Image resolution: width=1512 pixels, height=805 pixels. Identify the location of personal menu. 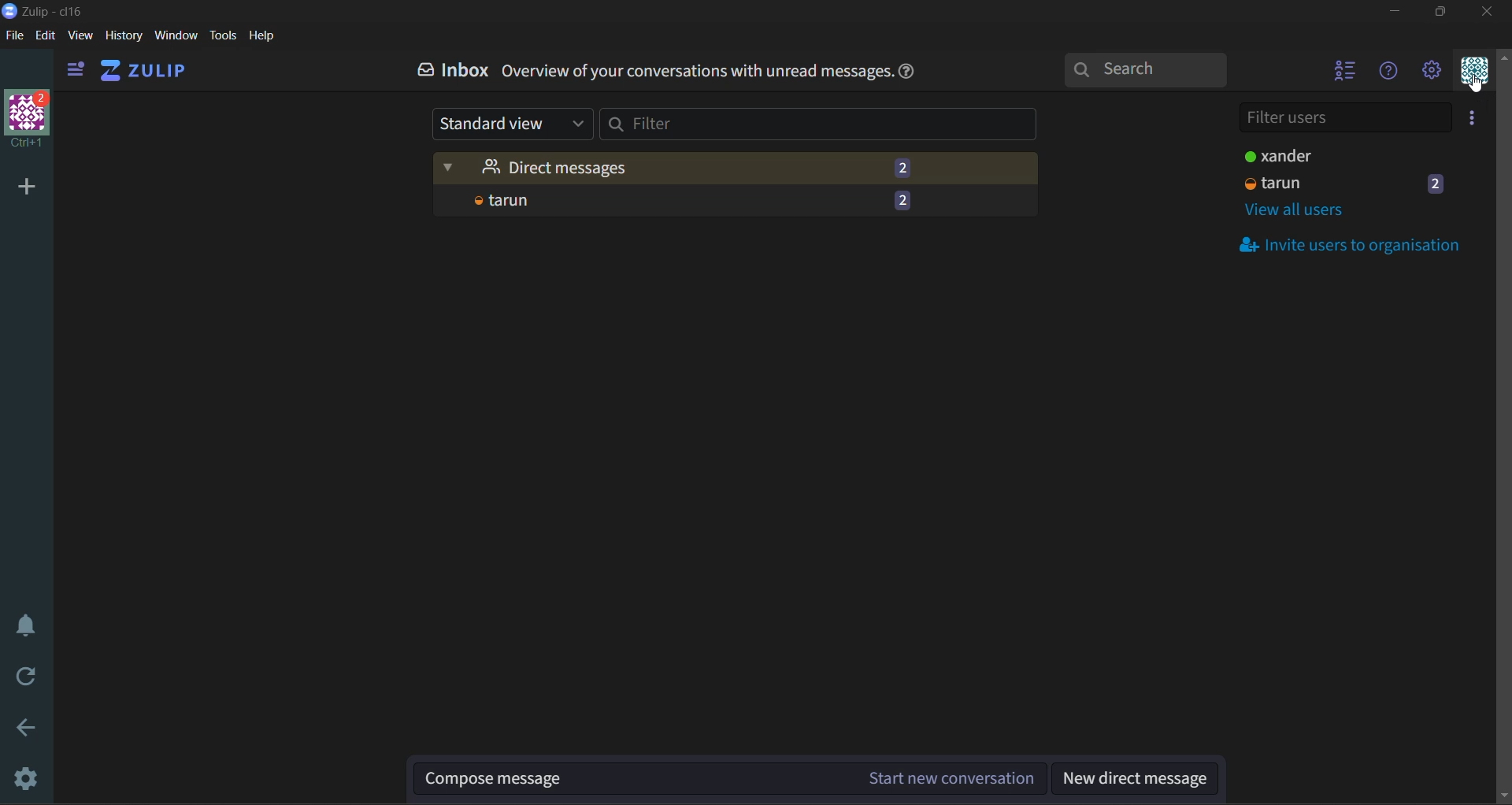
(1474, 73).